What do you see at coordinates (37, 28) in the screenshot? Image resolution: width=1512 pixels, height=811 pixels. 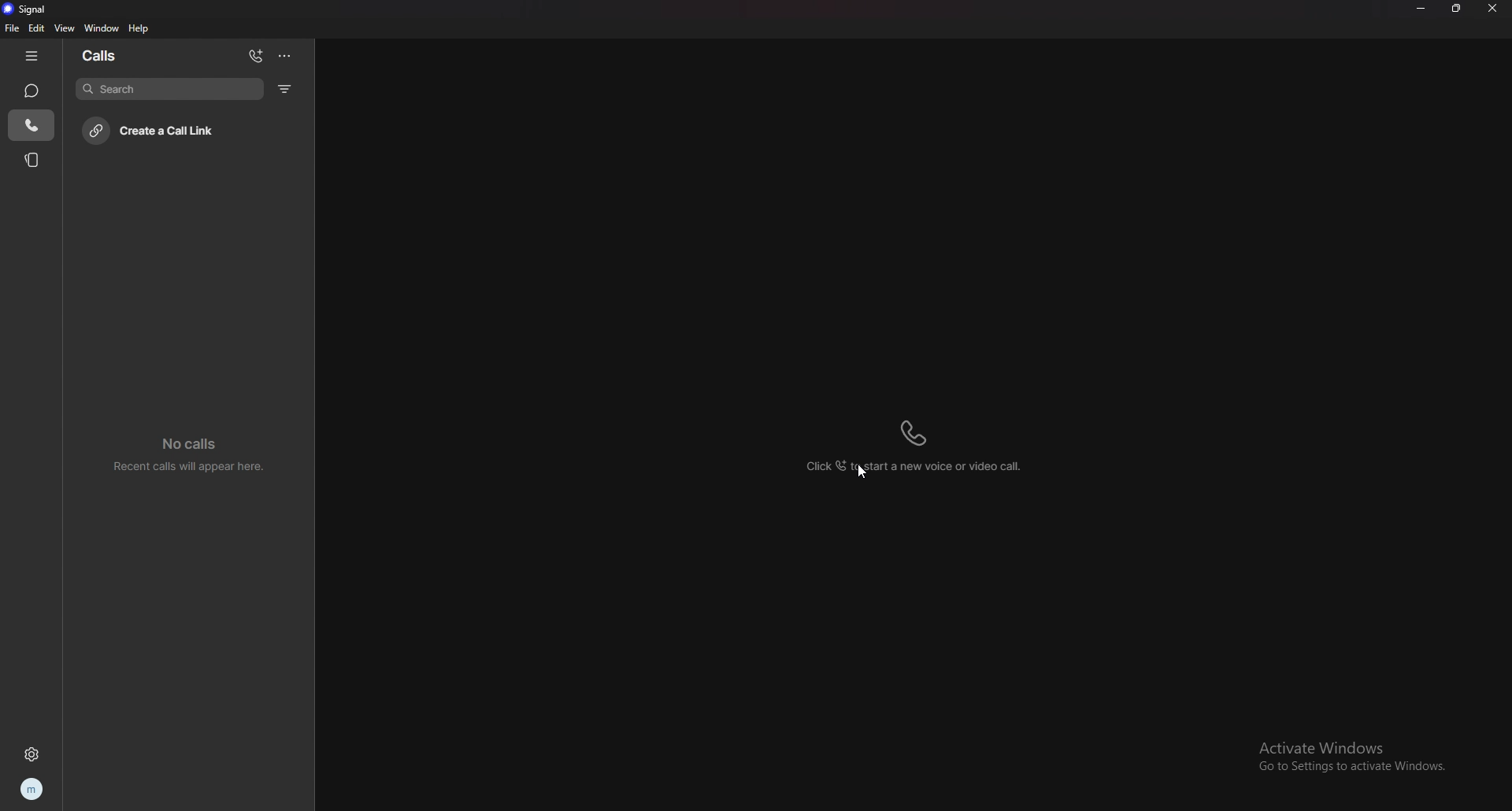 I see `edit` at bounding box center [37, 28].